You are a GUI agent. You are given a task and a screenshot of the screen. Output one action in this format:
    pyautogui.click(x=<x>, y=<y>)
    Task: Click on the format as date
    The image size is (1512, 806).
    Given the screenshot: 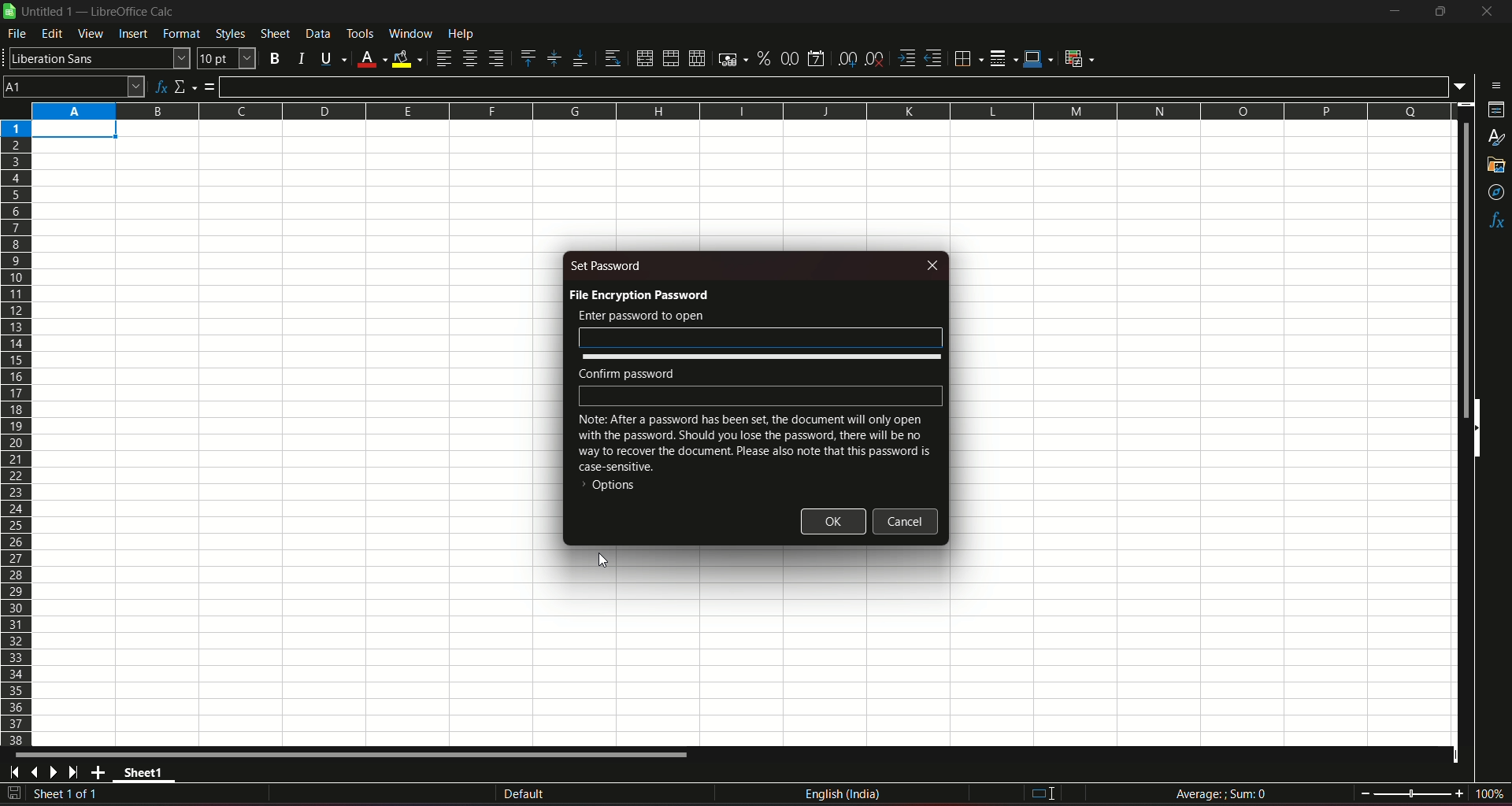 What is the action you would take?
    pyautogui.click(x=818, y=57)
    